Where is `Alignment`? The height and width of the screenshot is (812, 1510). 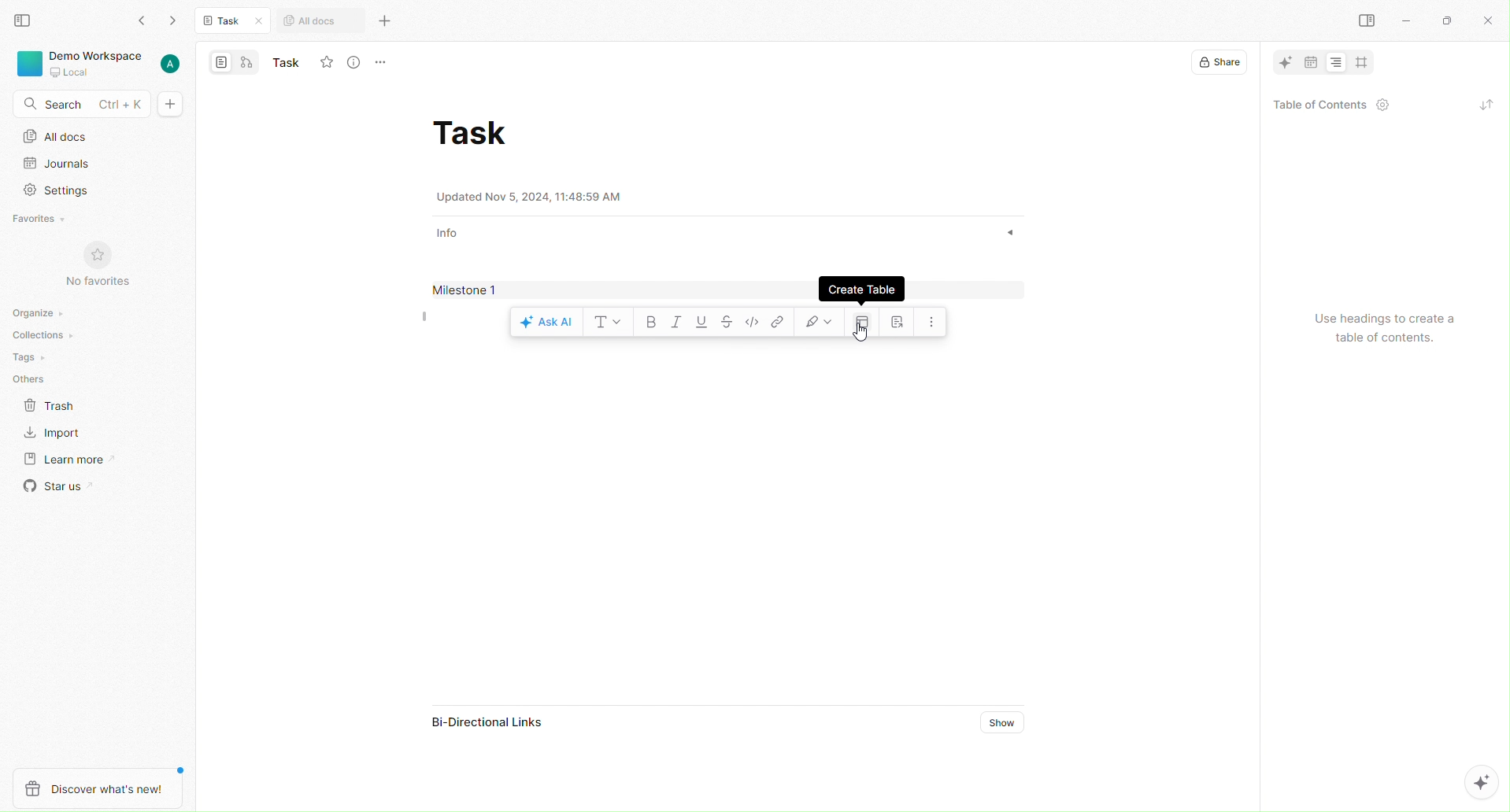
Alignment is located at coordinates (1336, 62).